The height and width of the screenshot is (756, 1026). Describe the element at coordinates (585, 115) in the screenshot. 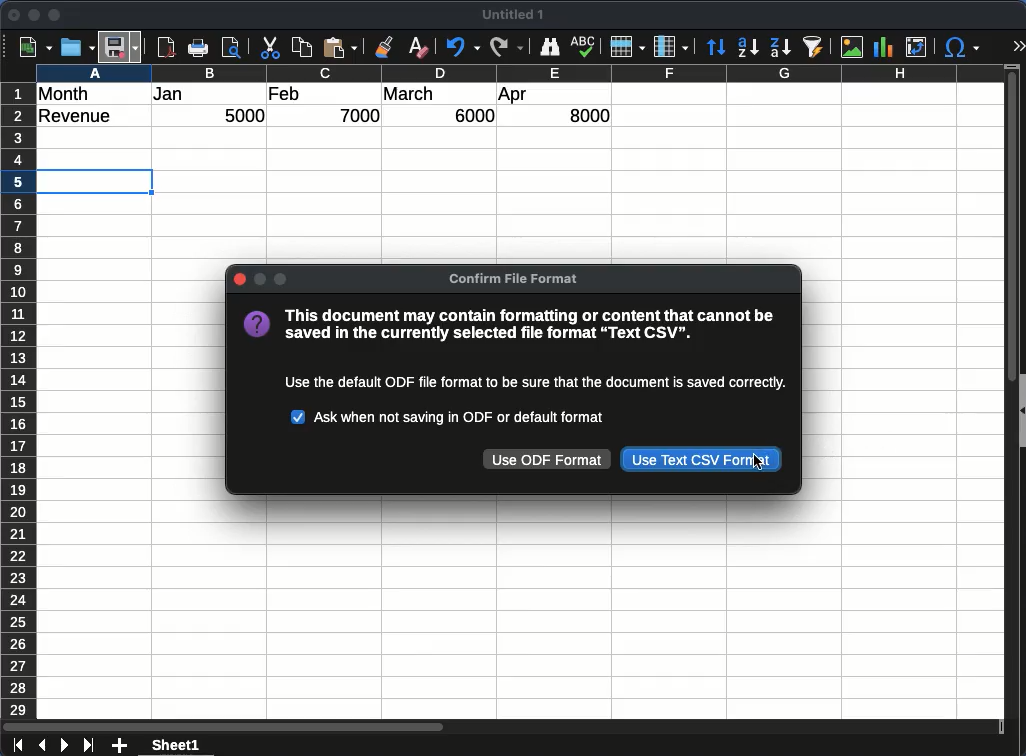

I see `8000` at that location.